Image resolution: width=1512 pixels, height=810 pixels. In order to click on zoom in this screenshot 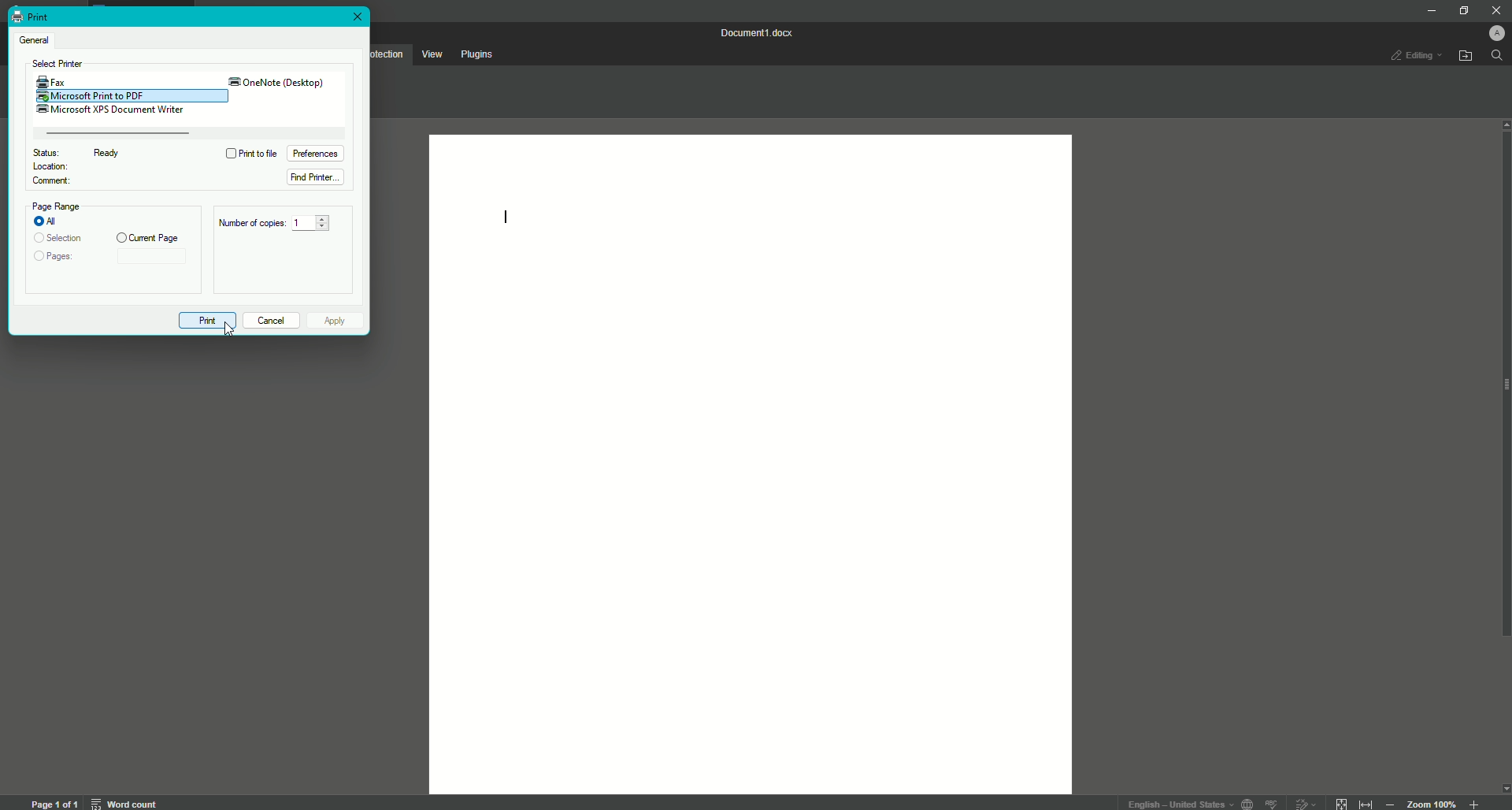, I will do `click(1432, 803)`.